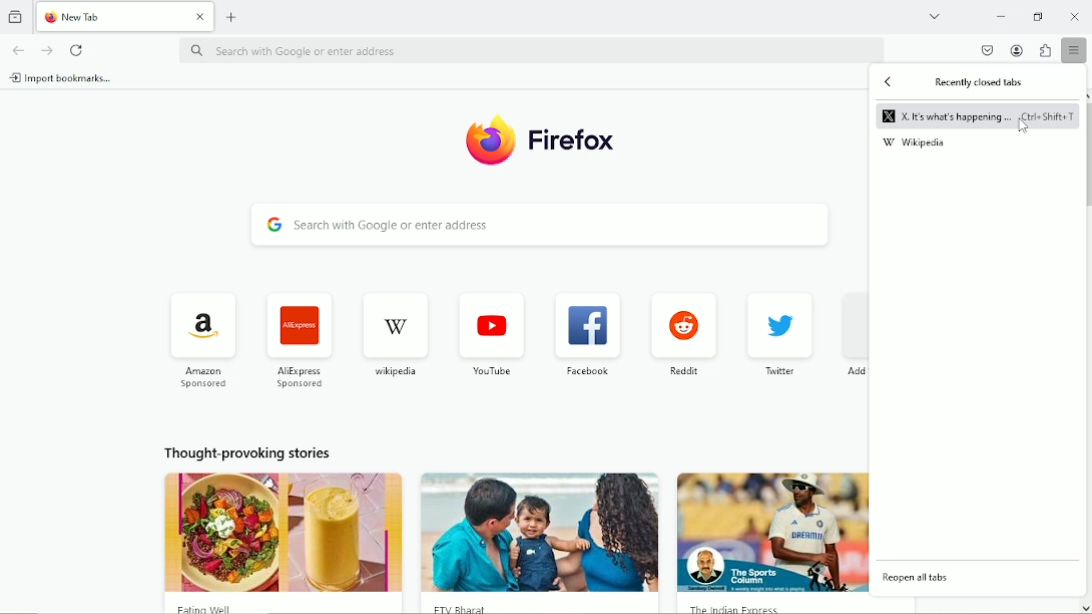 This screenshot has width=1092, height=614. Describe the element at coordinates (916, 576) in the screenshot. I see `reopen all tabs` at that location.